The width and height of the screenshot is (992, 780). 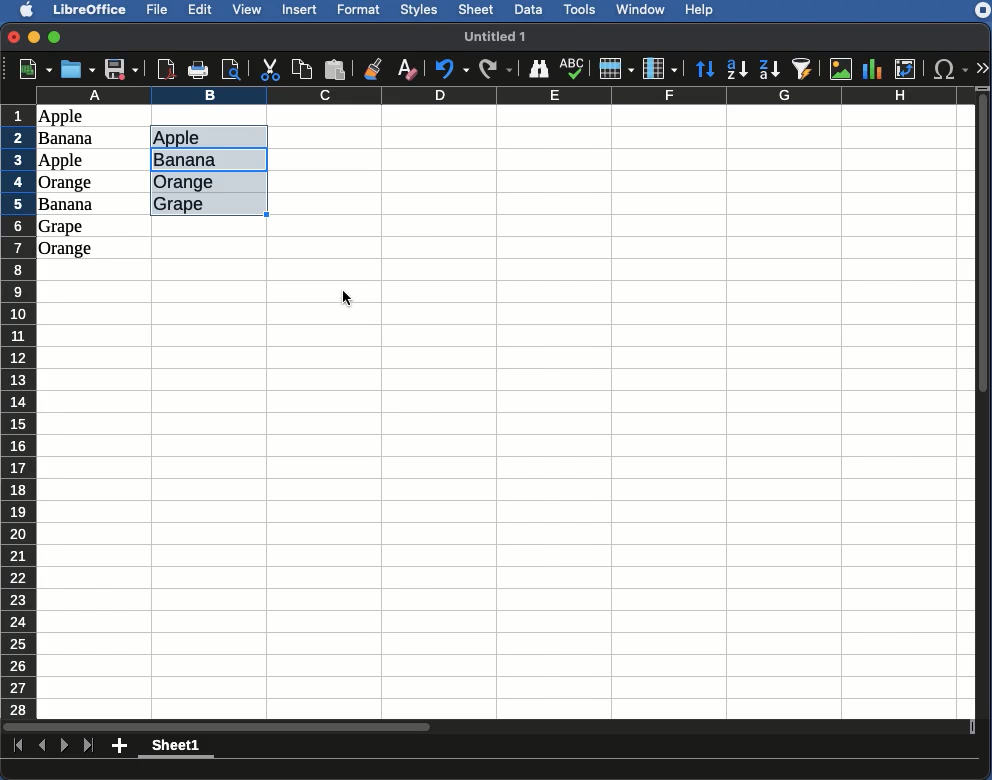 What do you see at coordinates (539, 70) in the screenshot?
I see `Finder` at bounding box center [539, 70].